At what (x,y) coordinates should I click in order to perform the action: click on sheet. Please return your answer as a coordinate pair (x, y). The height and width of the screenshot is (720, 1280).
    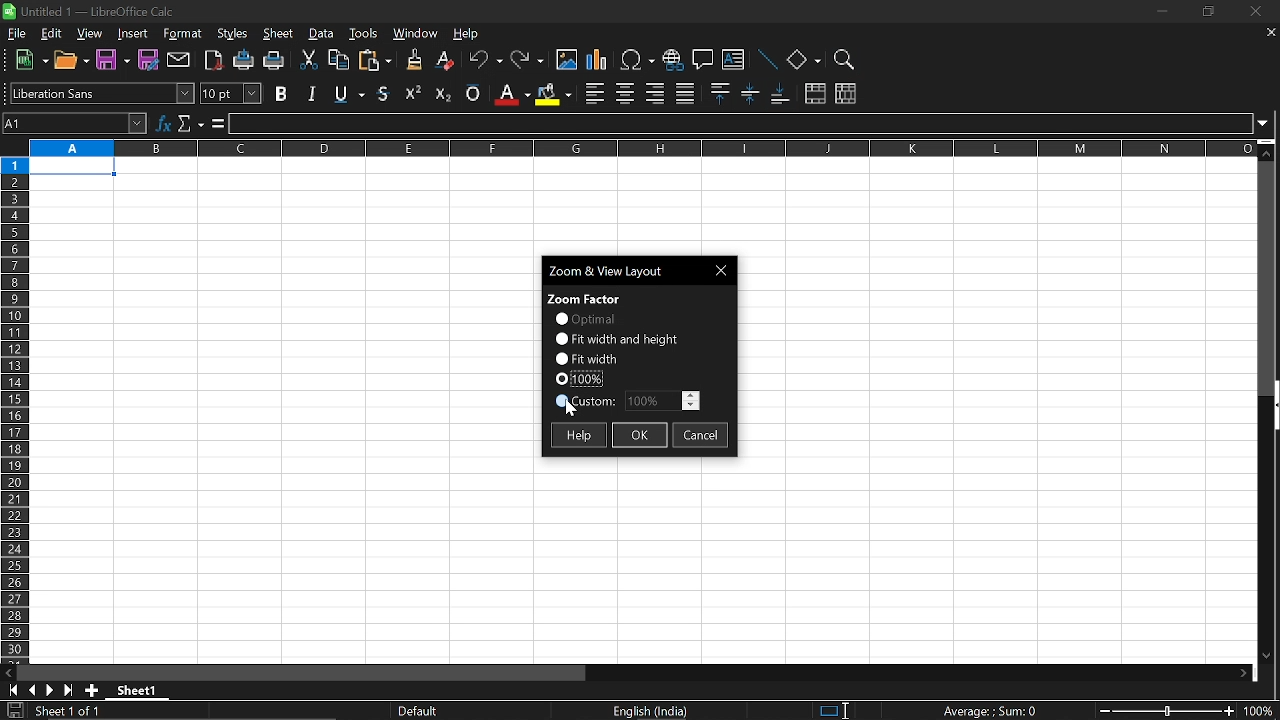
    Looking at the image, I should click on (279, 35).